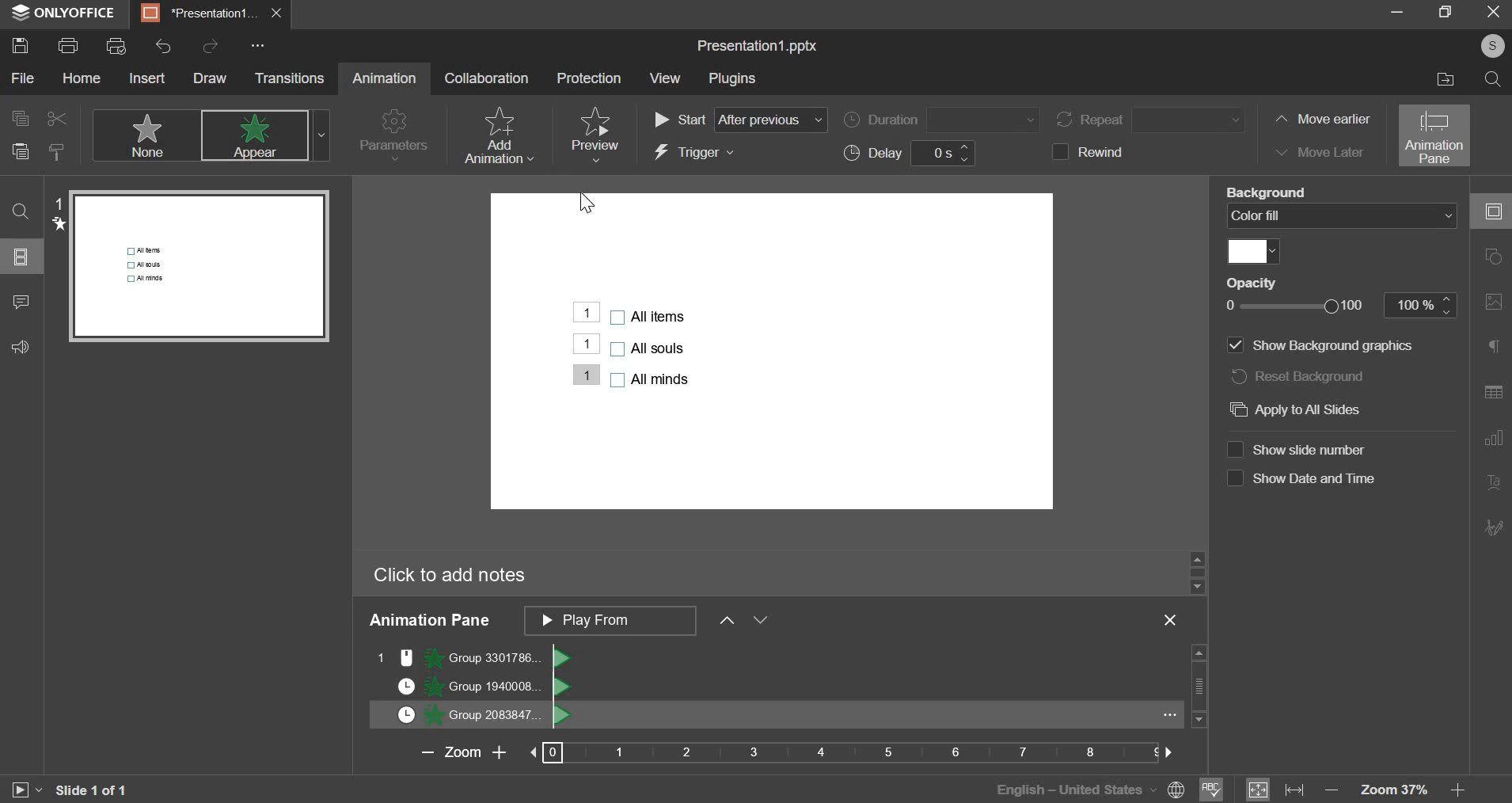 Image resolution: width=1512 pixels, height=803 pixels. I want to click on Click to add notes, so click(449, 576).